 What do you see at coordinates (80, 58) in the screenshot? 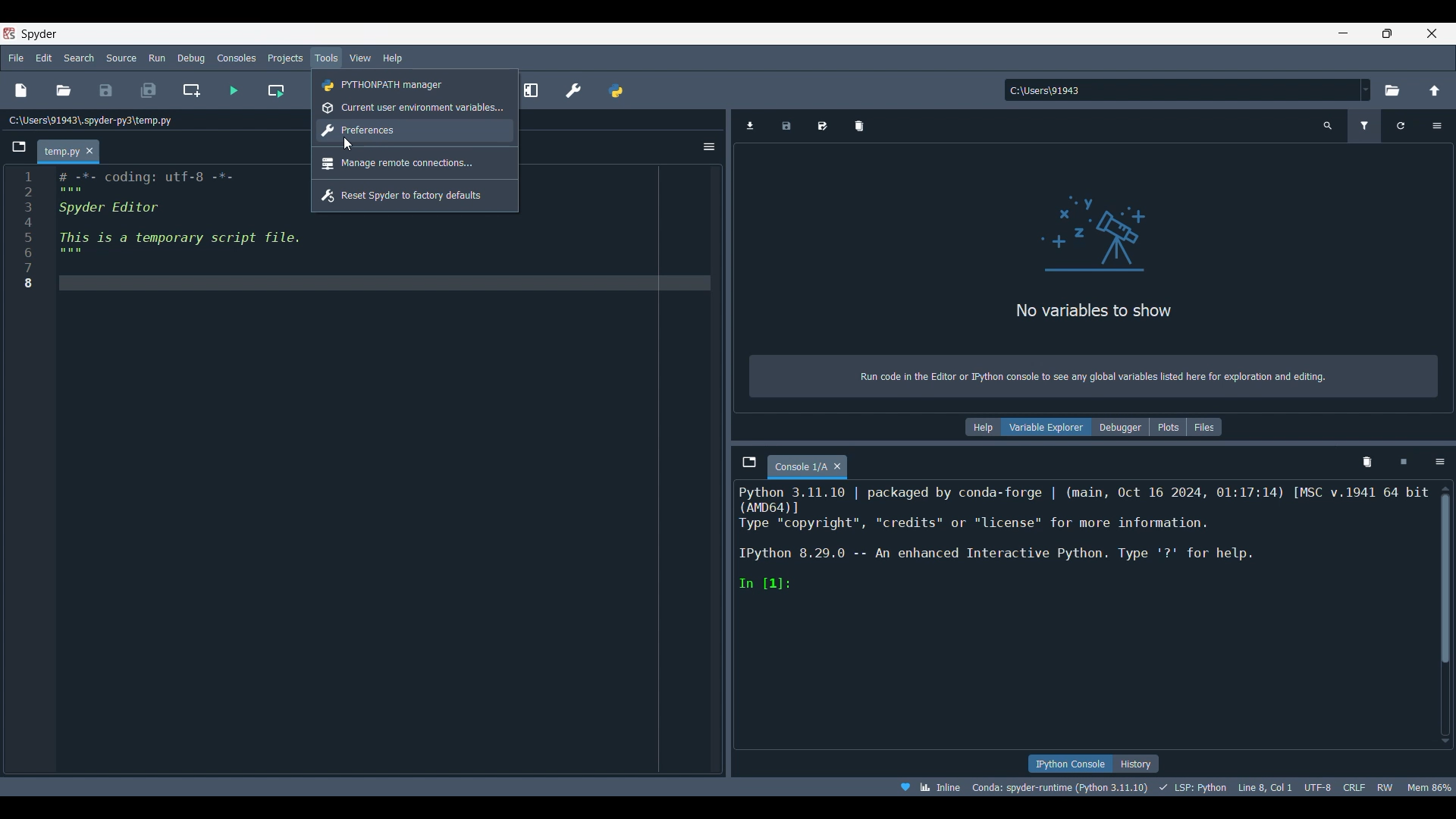
I see `Search menu` at bounding box center [80, 58].